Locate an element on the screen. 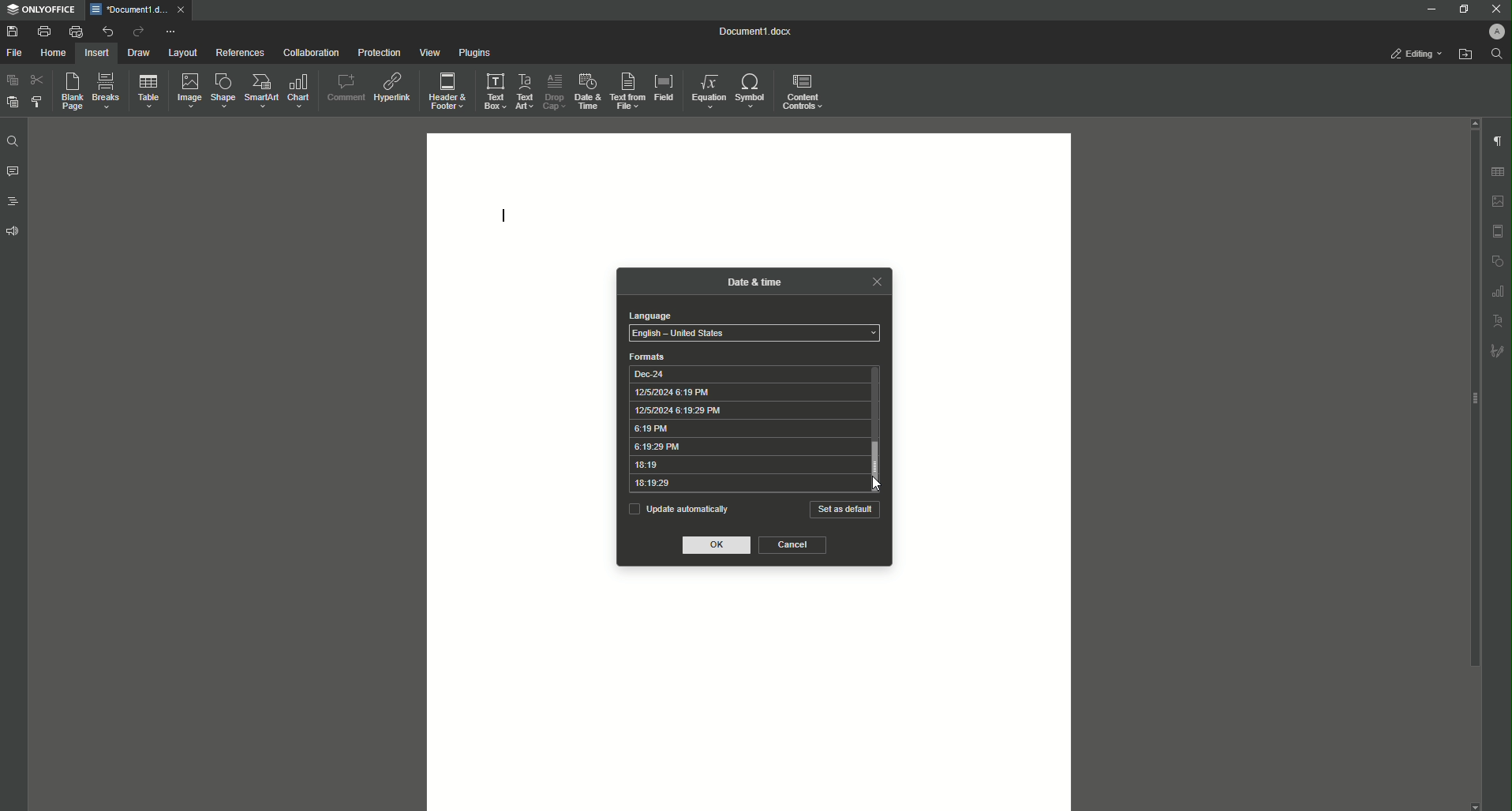  Comment is located at coordinates (344, 85).